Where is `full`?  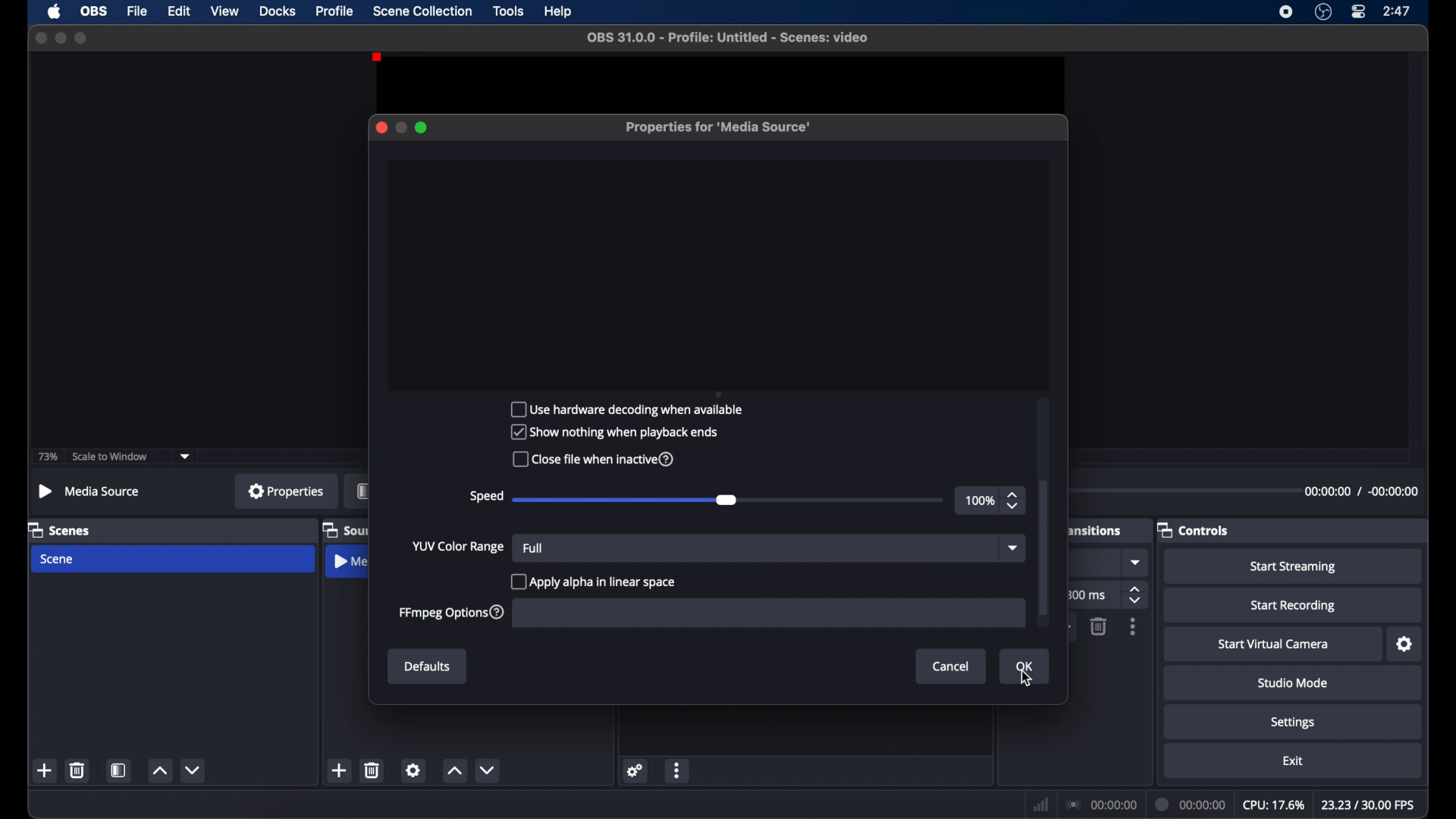
full is located at coordinates (532, 547).